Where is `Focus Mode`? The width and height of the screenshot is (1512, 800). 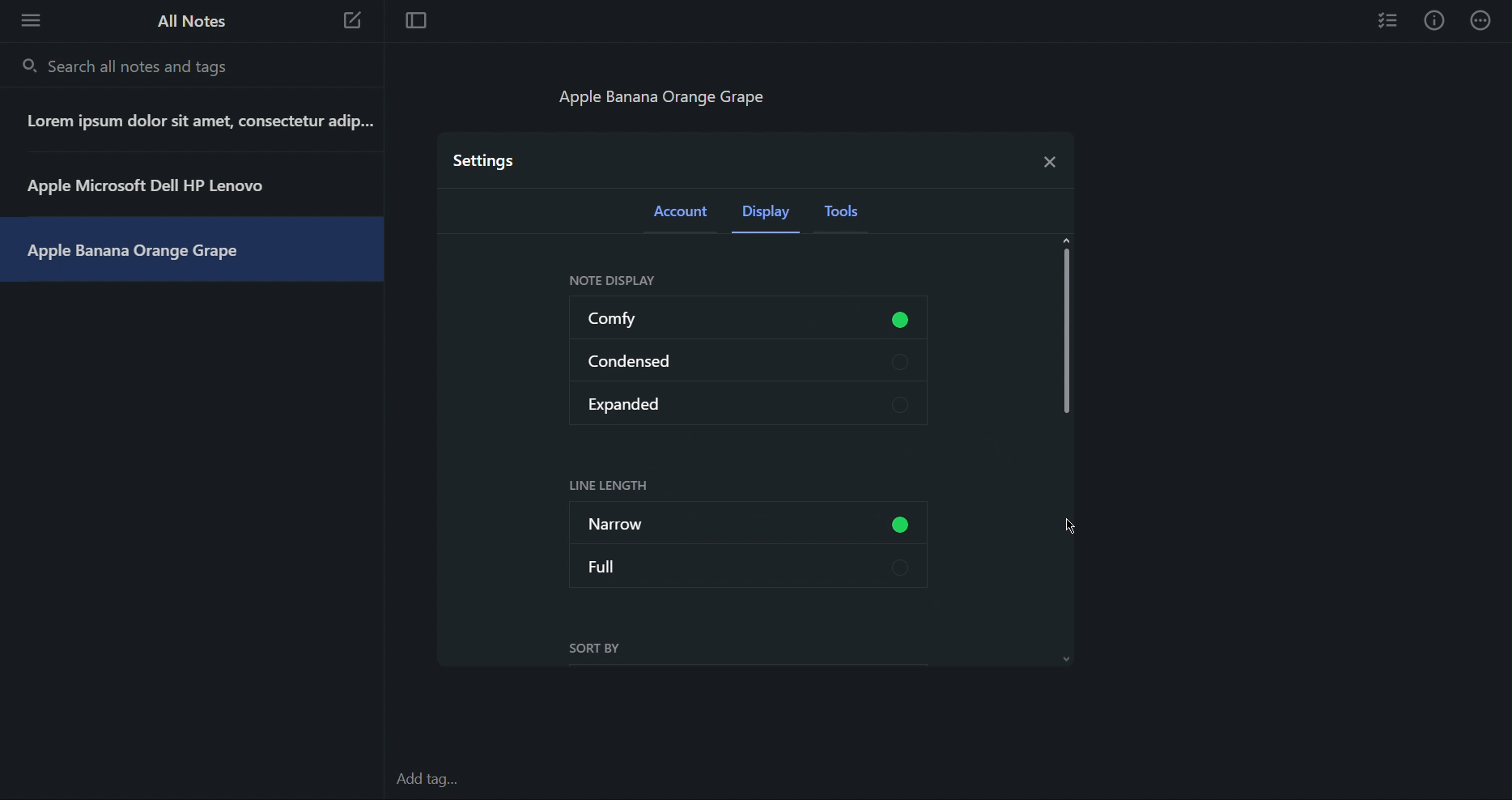 Focus Mode is located at coordinates (414, 22).